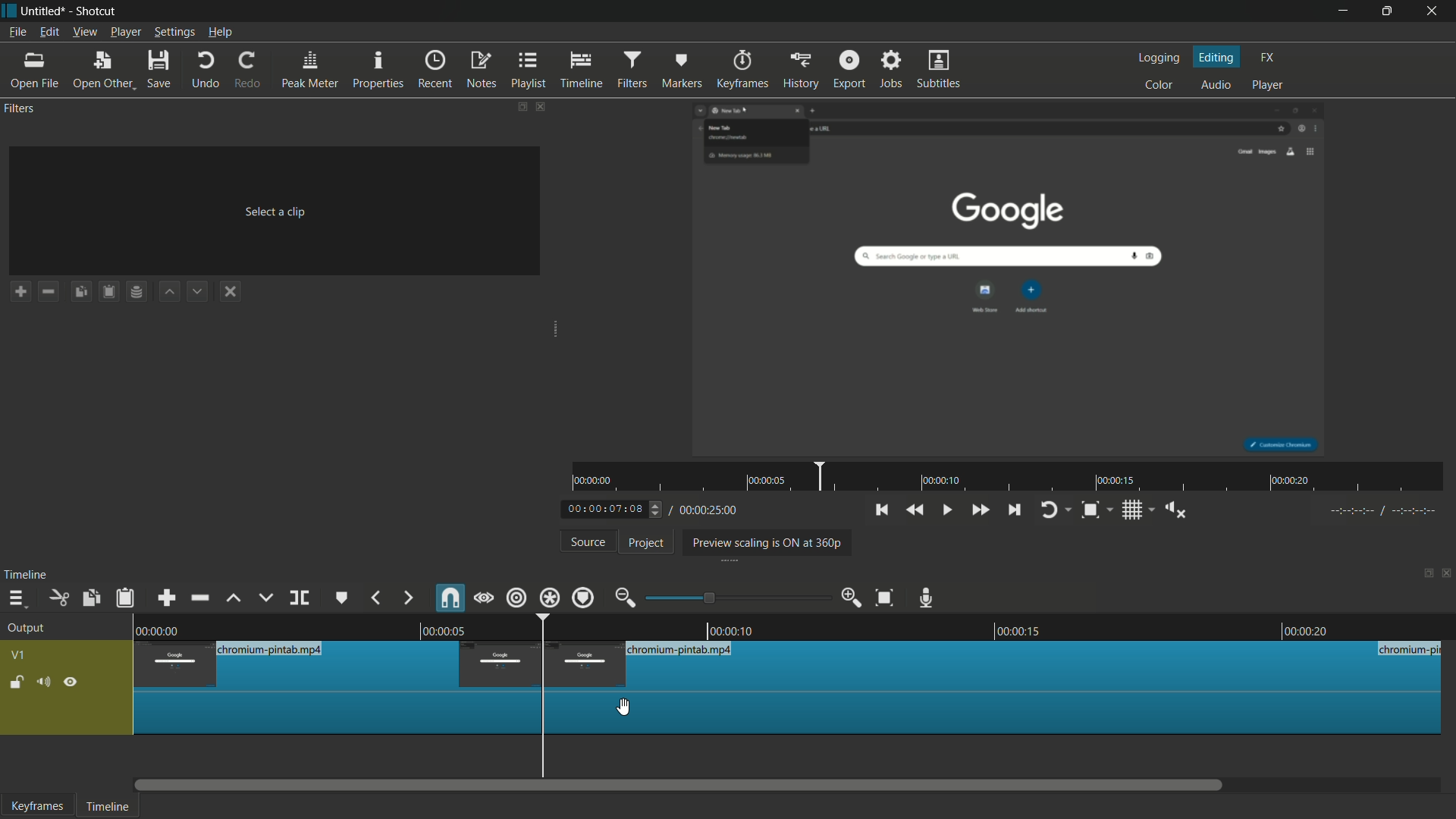 This screenshot has height=819, width=1456. What do you see at coordinates (1382, 510) in the screenshot?
I see `---` at bounding box center [1382, 510].